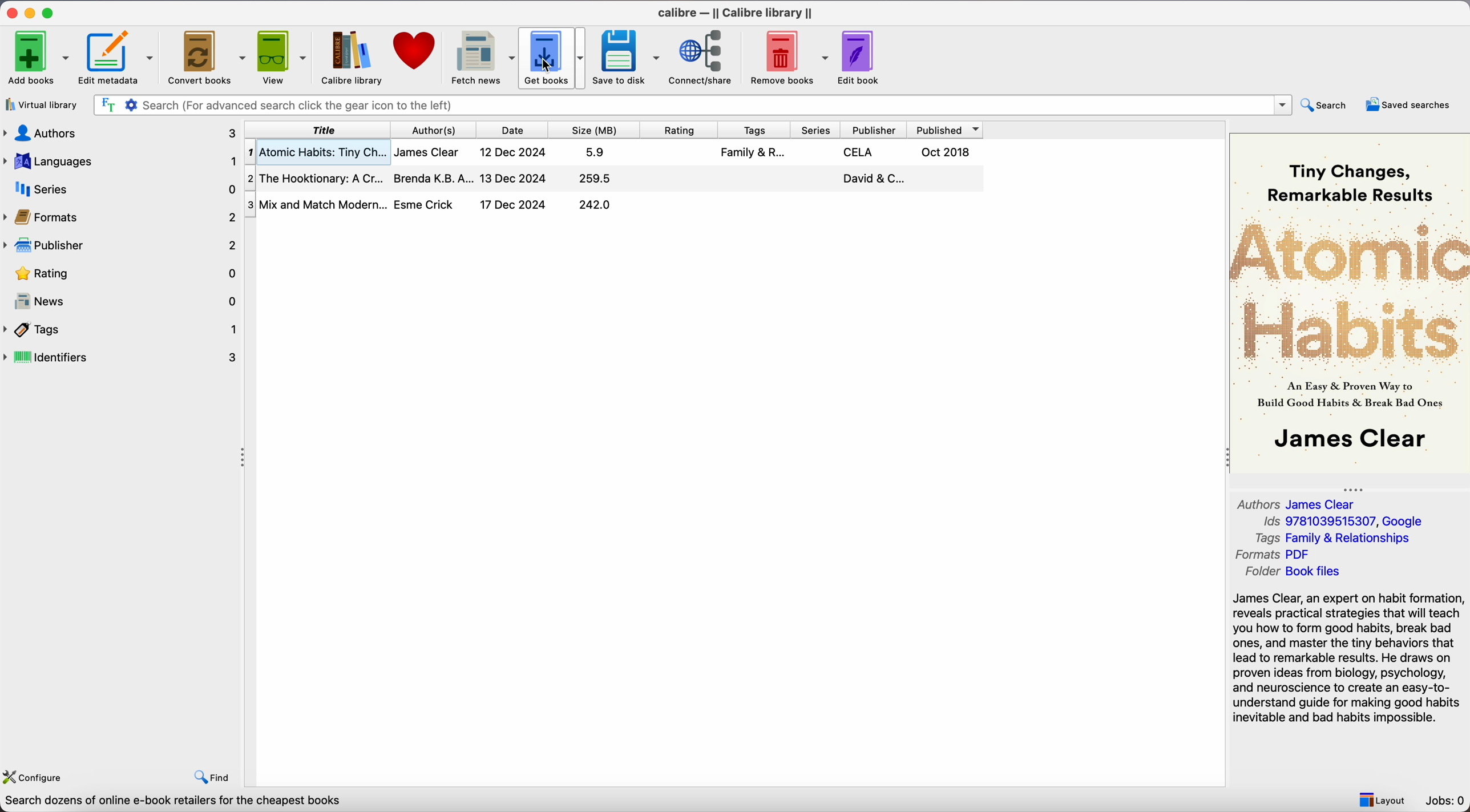 Image resolution: width=1470 pixels, height=812 pixels. What do you see at coordinates (423, 204) in the screenshot?
I see `Esme Crick` at bounding box center [423, 204].